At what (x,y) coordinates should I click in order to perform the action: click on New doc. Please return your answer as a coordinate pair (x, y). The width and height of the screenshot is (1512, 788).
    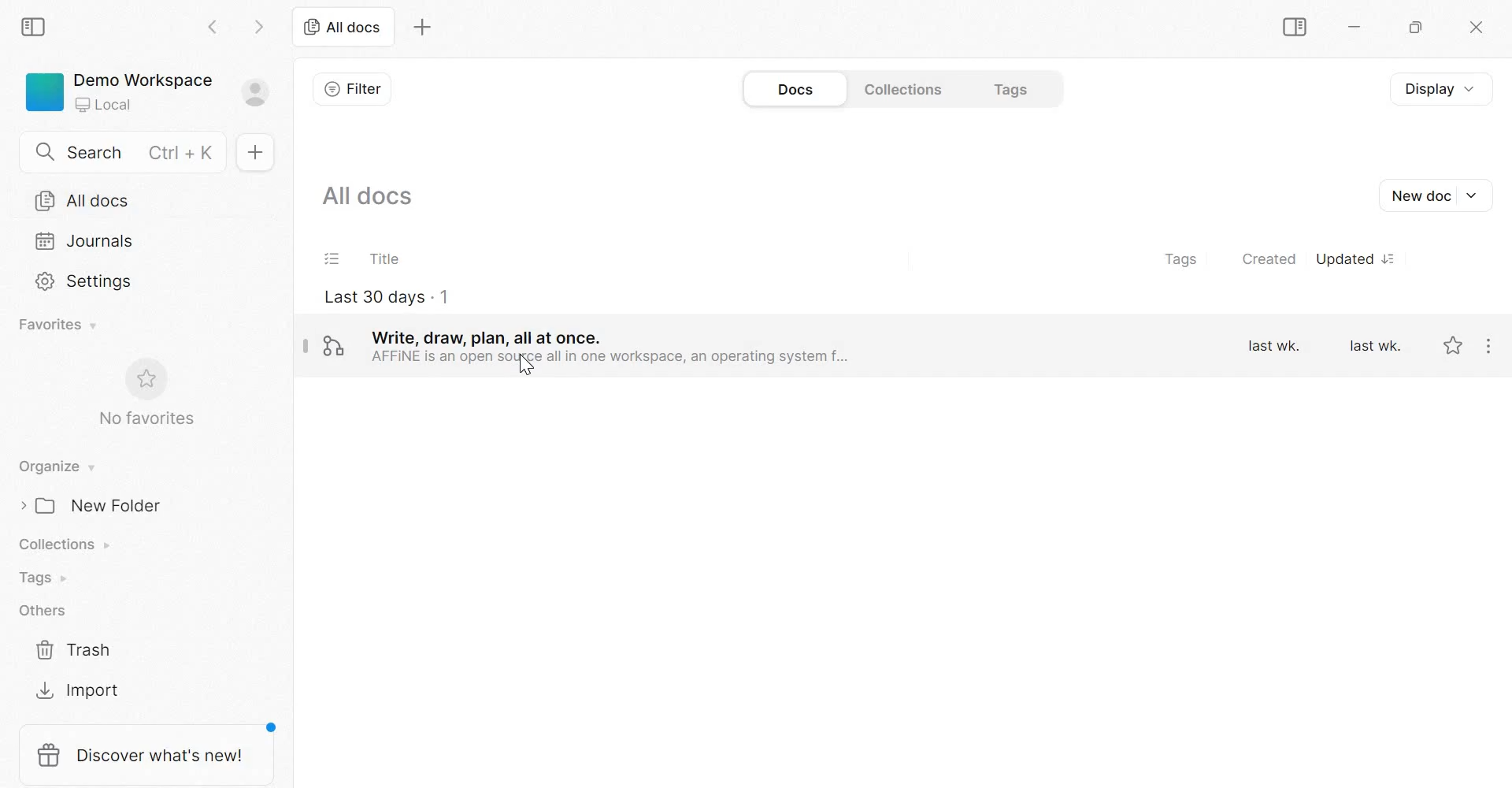
    Looking at the image, I should click on (254, 154).